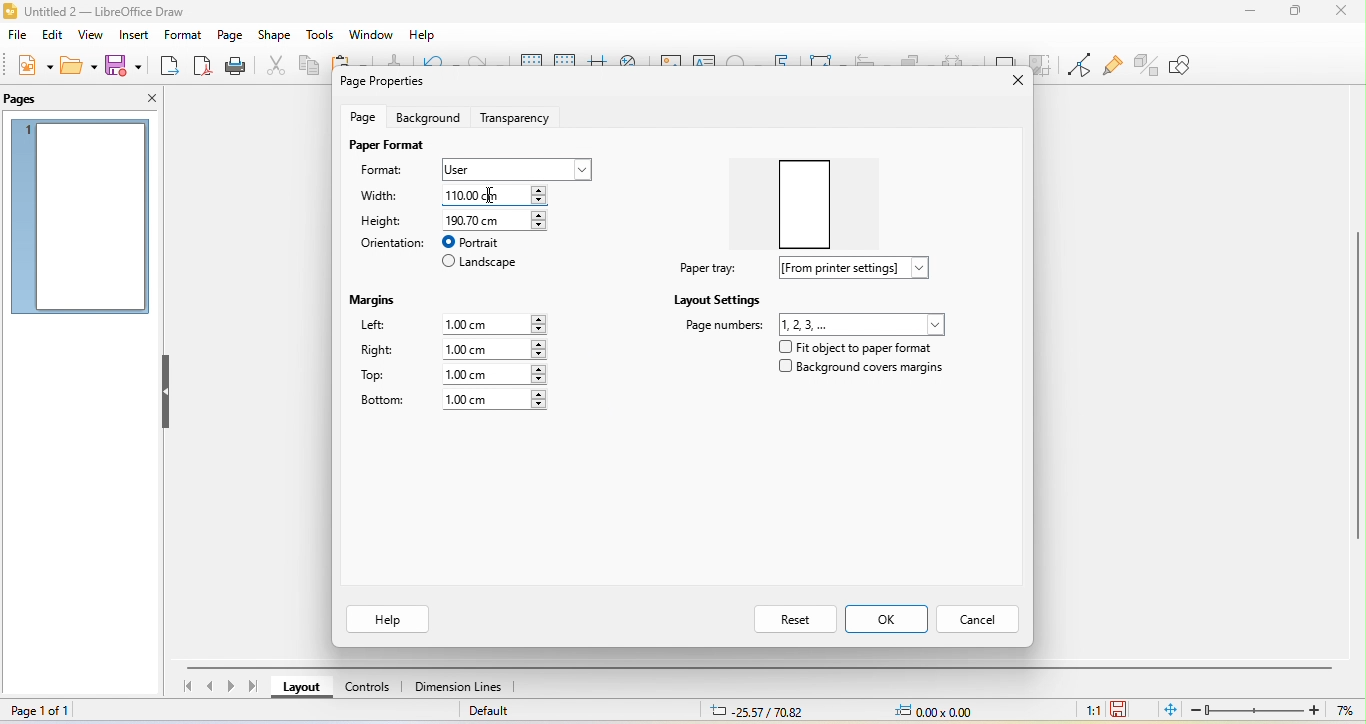  Describe the element at coordinates (234, 687) in the screenshot. I see `next page` at that location.